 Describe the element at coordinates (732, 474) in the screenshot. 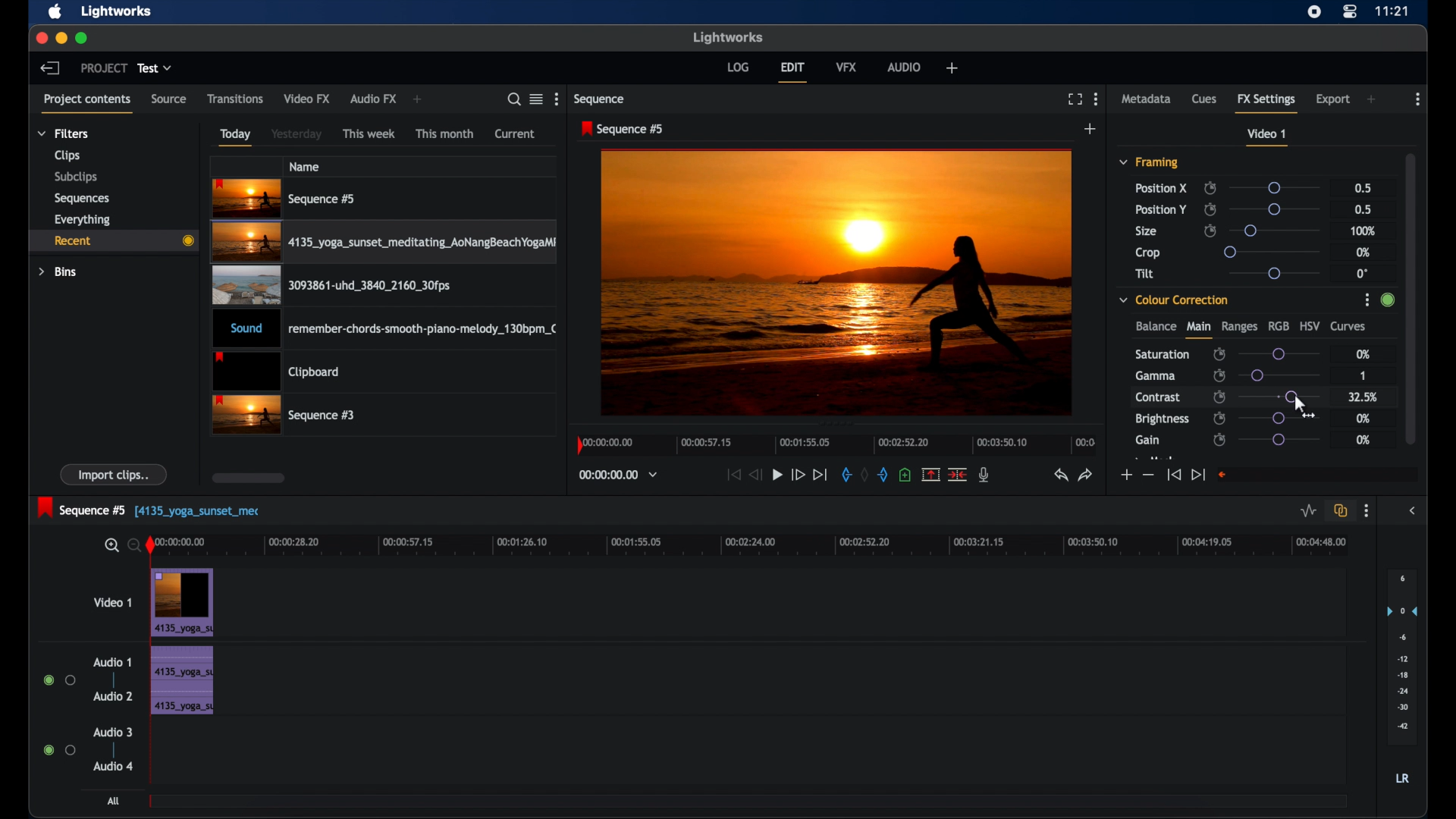

I see `jump to start` at that location.